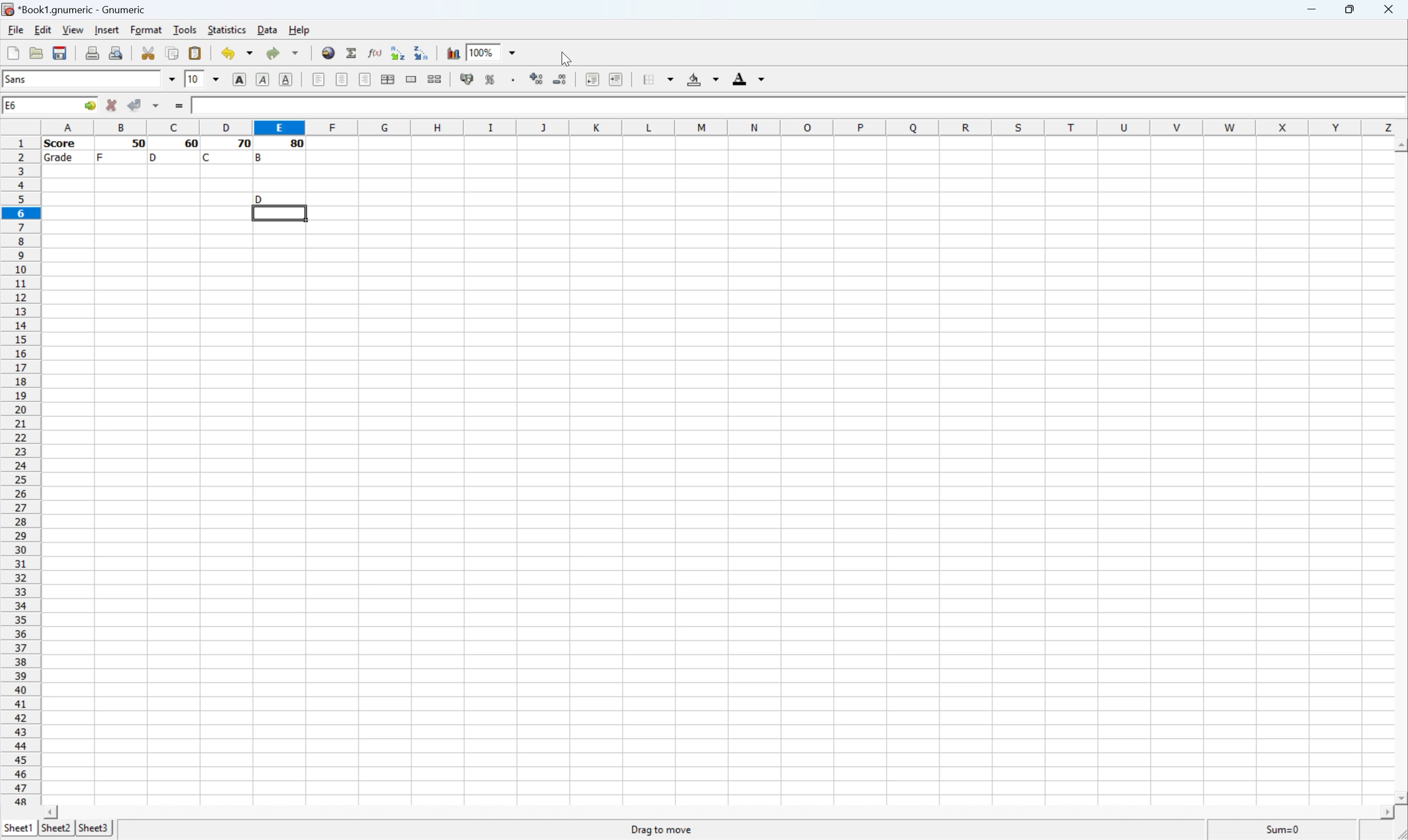 The width and height of the screenshot is (1408, 840). Describe the element at coordinates (134, 104) in the screenshot. I see `Accept change` at that location.